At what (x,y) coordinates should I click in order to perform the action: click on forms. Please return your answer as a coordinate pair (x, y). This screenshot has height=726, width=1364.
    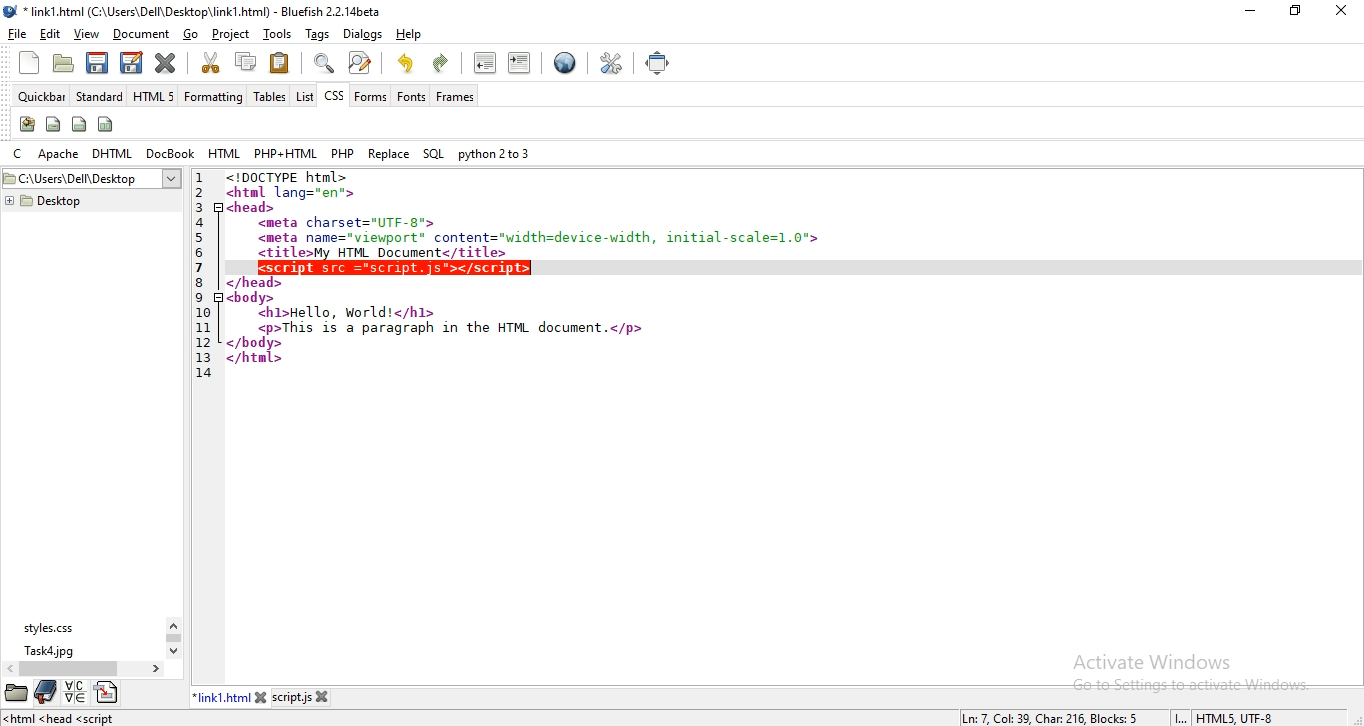
    Looking at the image, I should click on (371, 97).